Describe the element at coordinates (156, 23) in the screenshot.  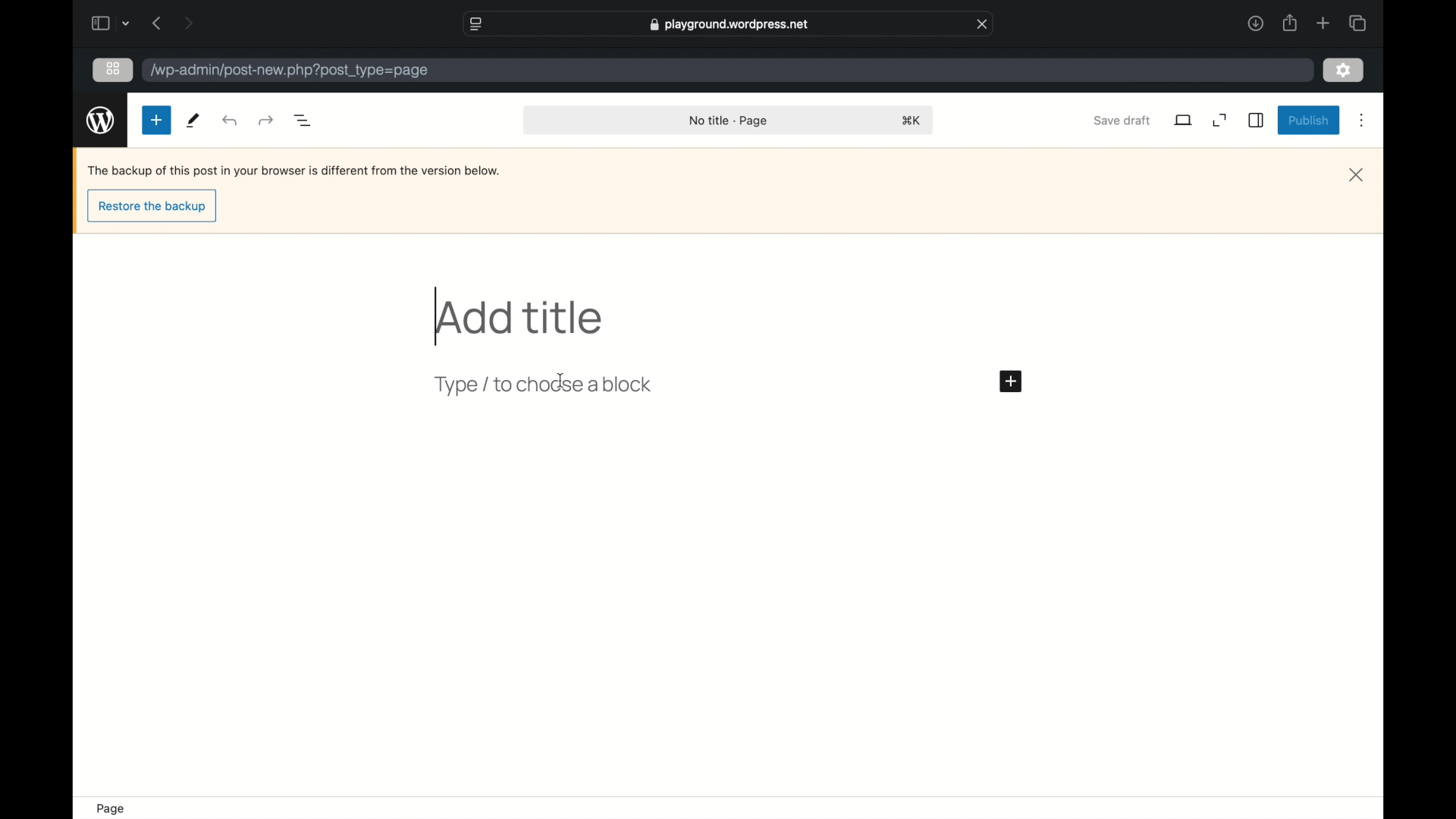
I see `previous page` at that location.